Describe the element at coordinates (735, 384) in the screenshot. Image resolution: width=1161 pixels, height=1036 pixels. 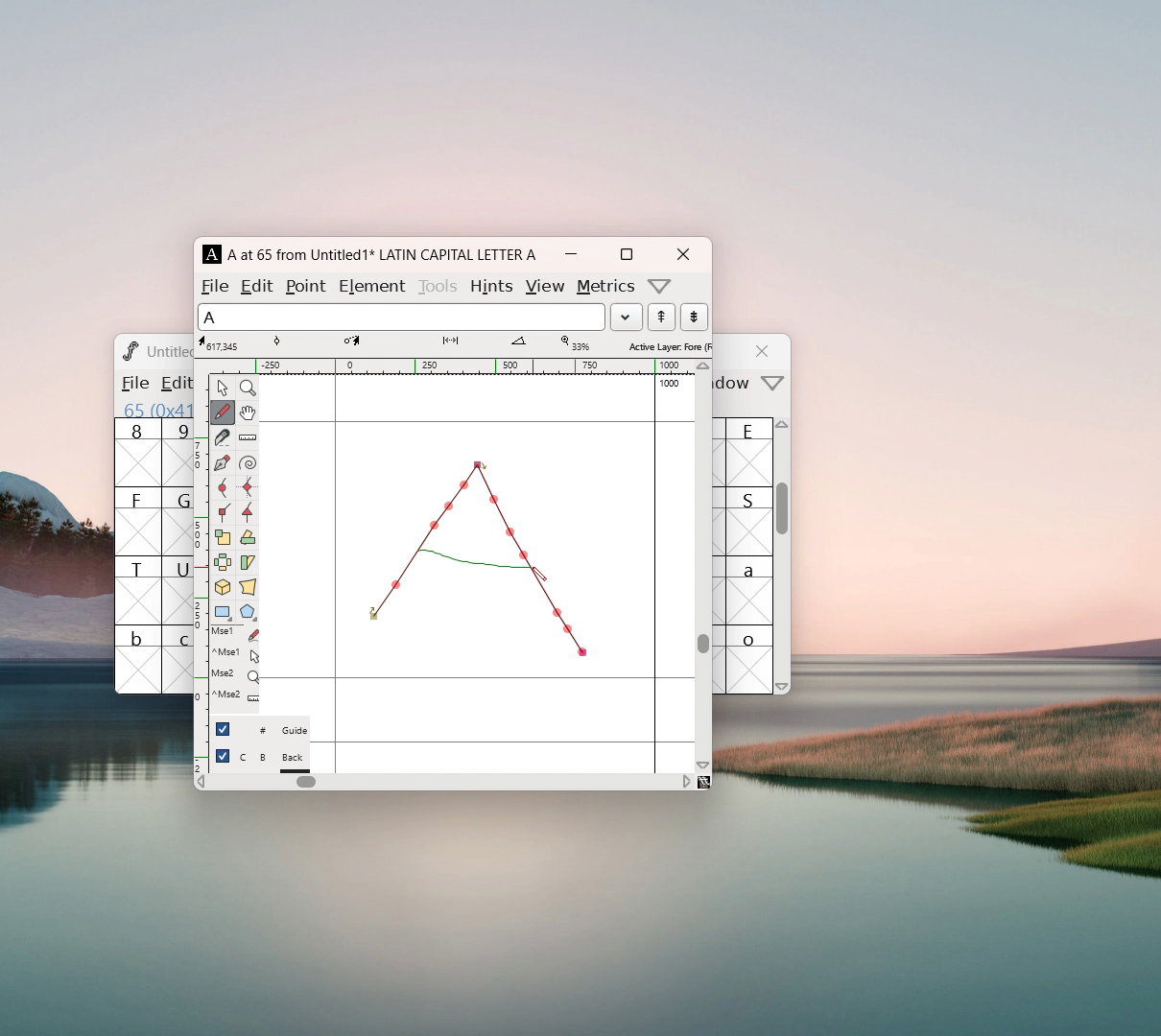
I see `window` at that location.